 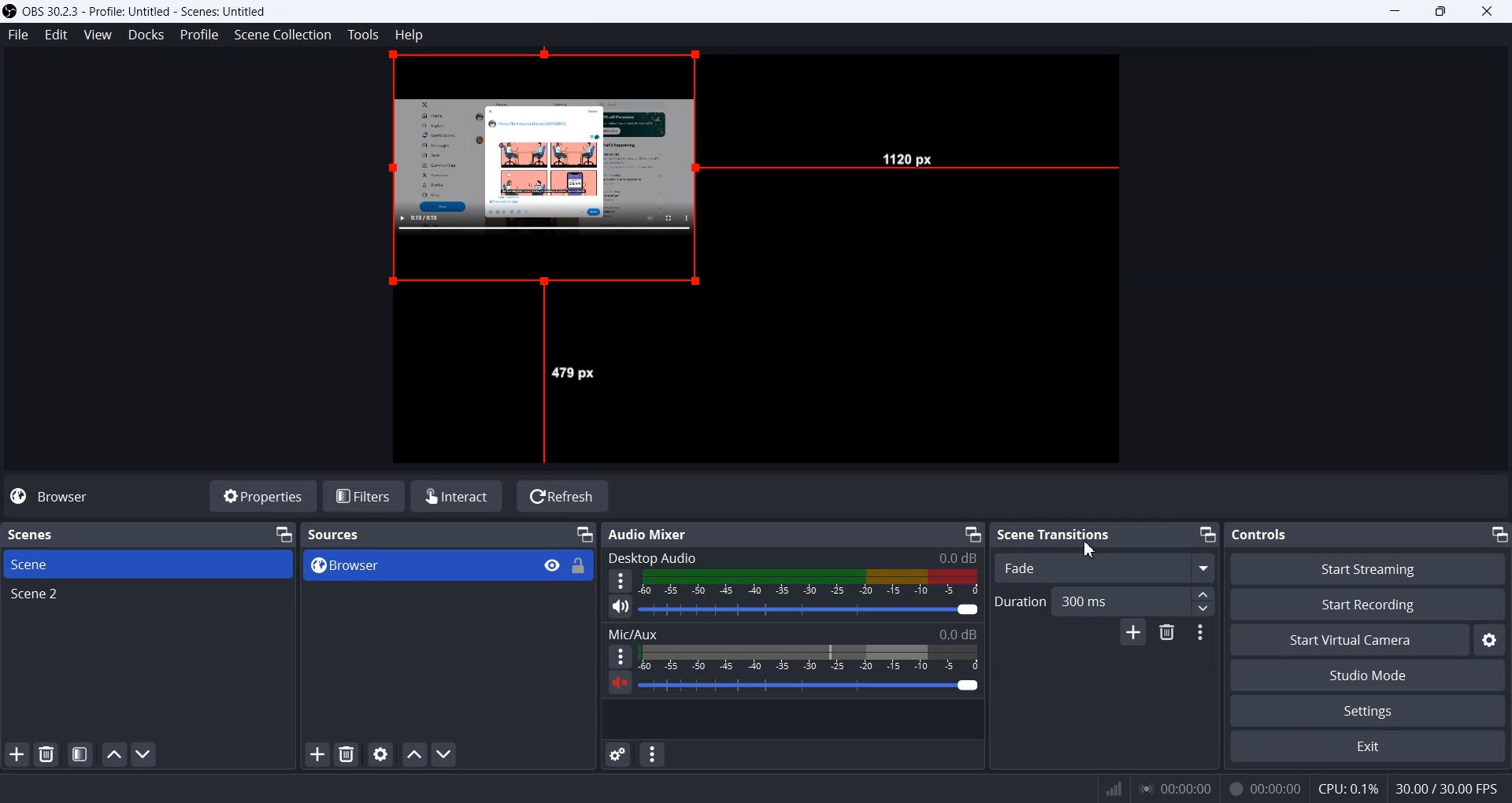 I want to click on Start Recording, so click(x=1369, y=604).